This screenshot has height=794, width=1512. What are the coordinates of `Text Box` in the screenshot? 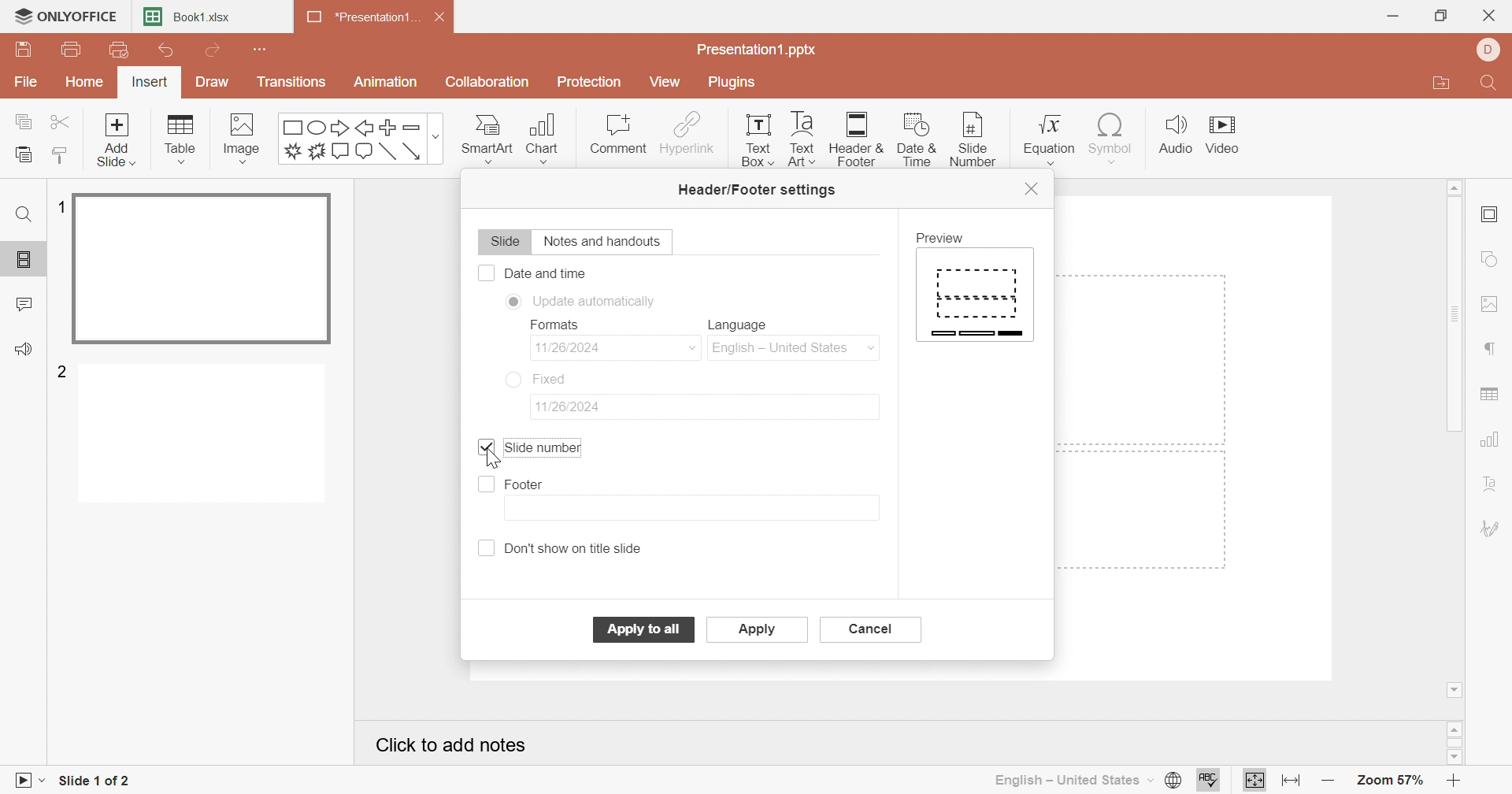 It's located at (753, 139).